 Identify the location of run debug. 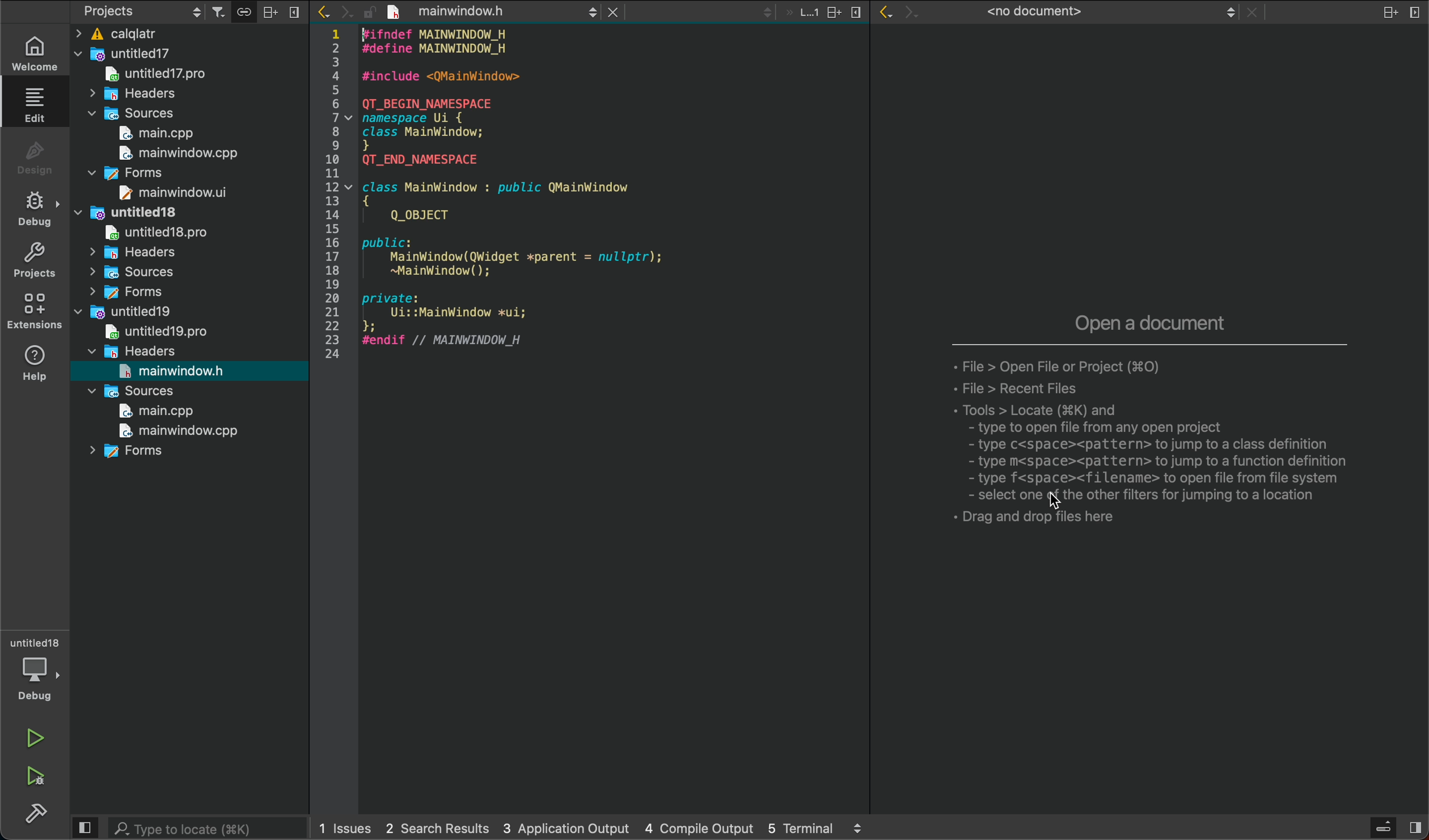
(40, 779).